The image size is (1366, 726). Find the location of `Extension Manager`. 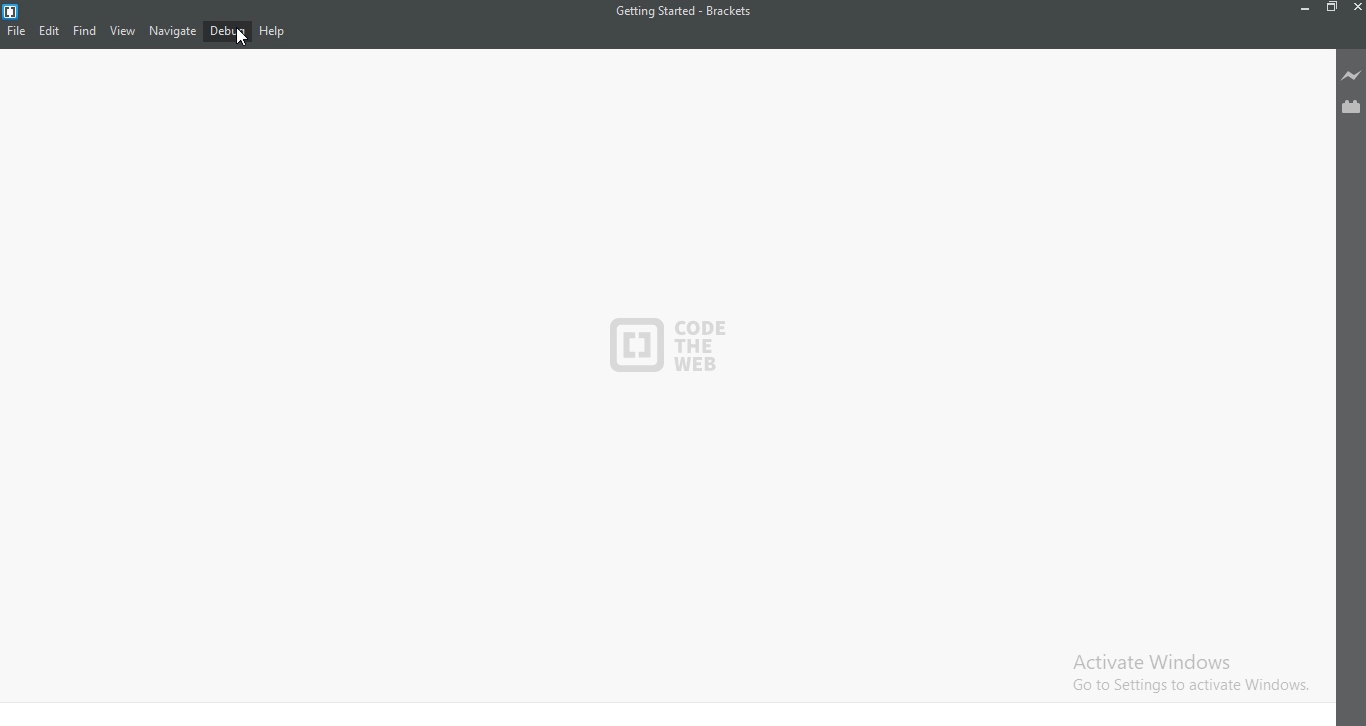

Extension Manager is located at coordinates (1351, 106).